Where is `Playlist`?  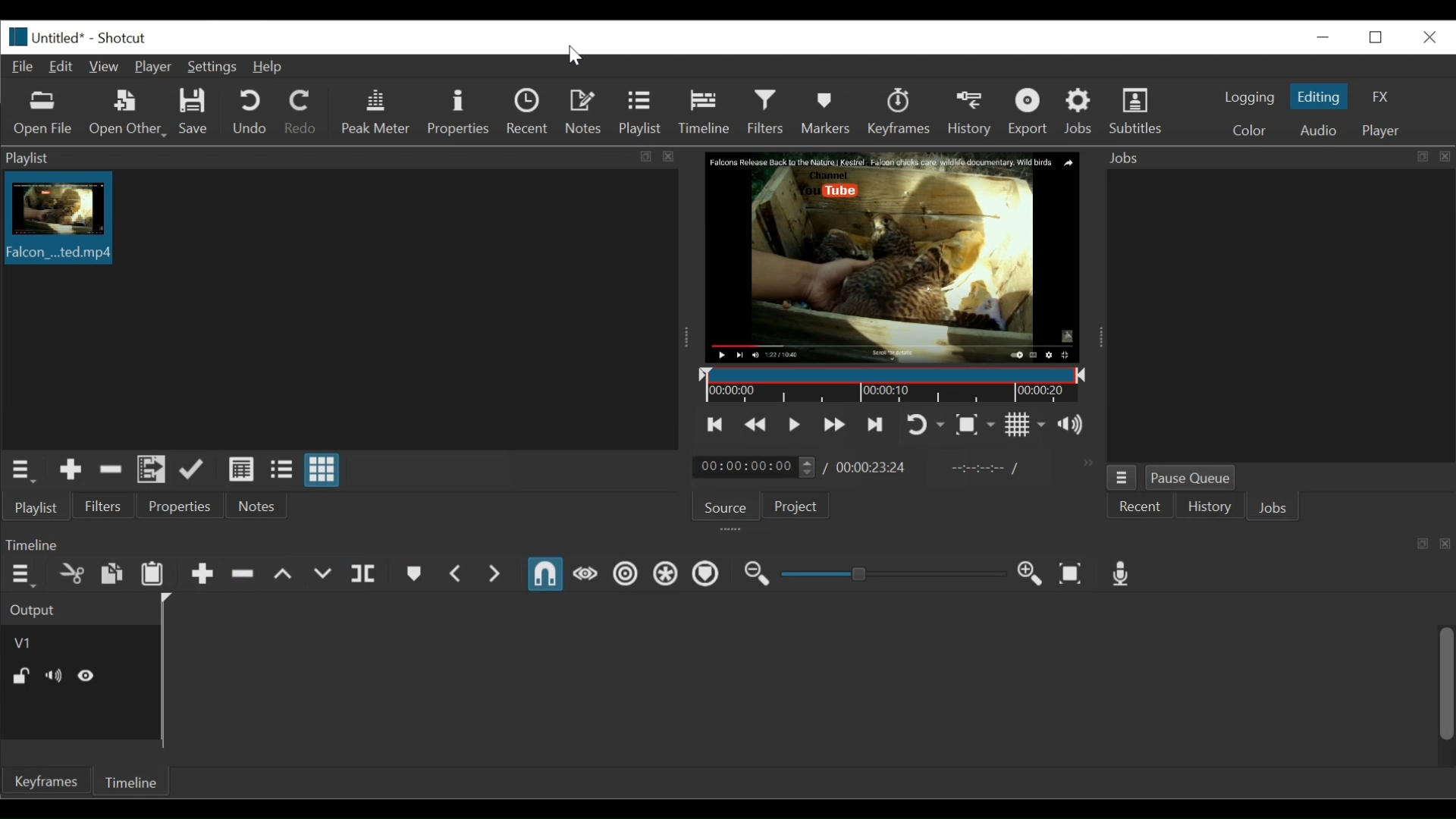 Playlist is located at coordinates (641, 113).